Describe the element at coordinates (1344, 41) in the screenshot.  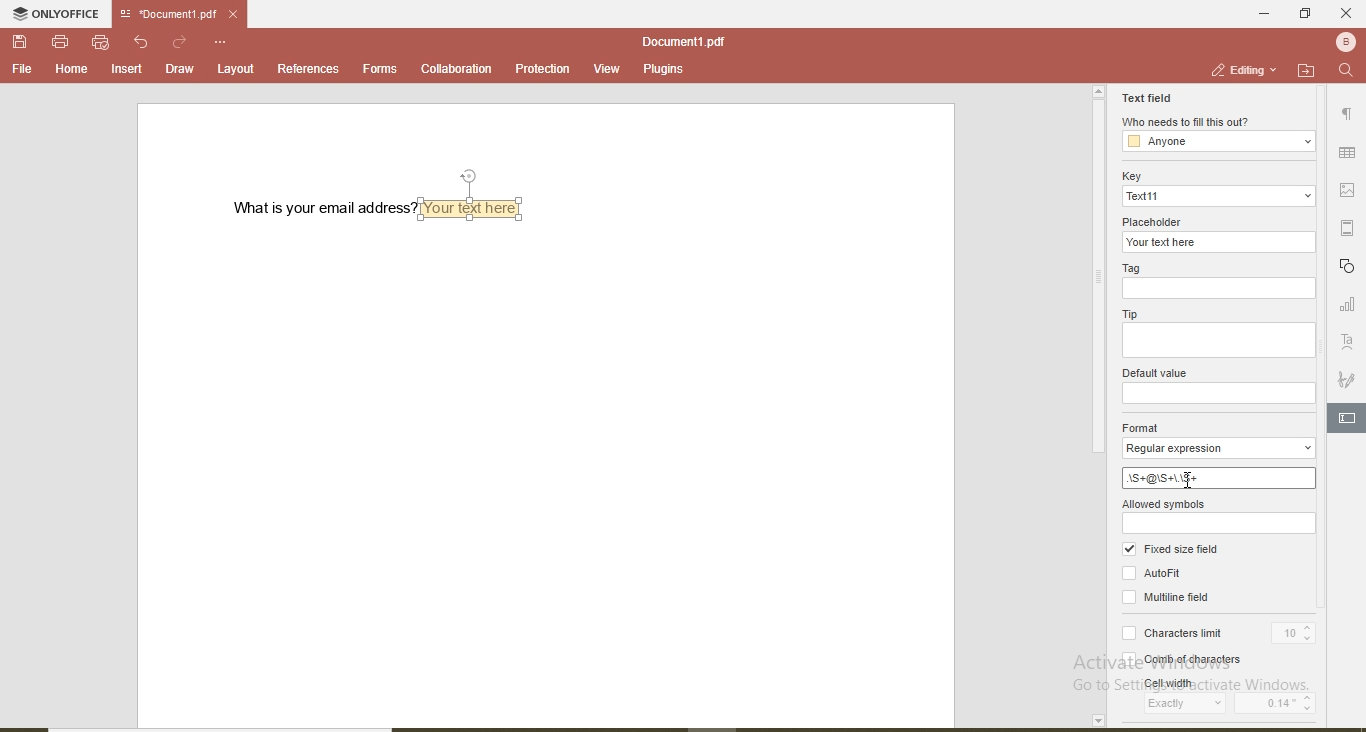
I see `user` at that location.